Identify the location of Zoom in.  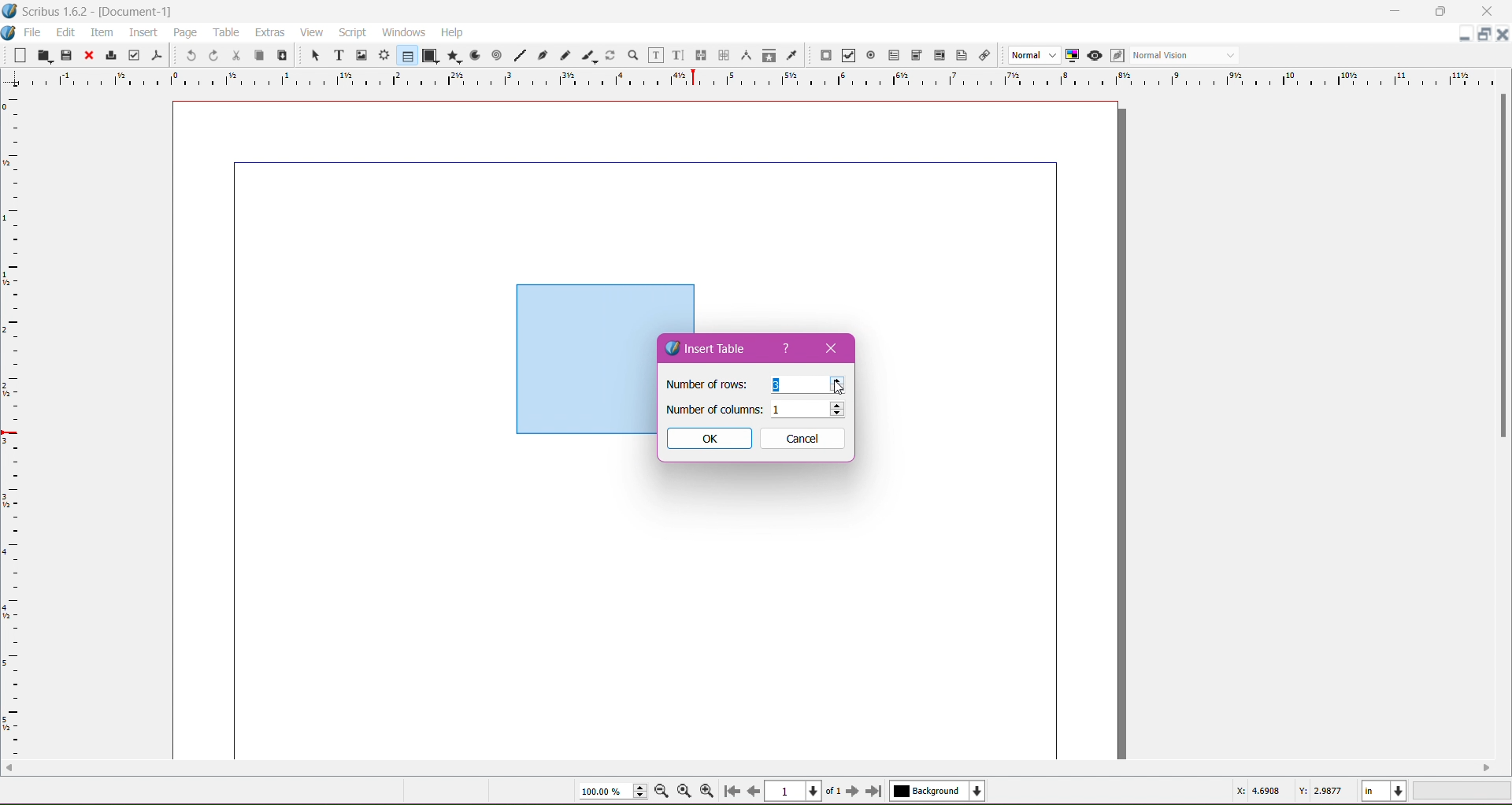
(708, 791).